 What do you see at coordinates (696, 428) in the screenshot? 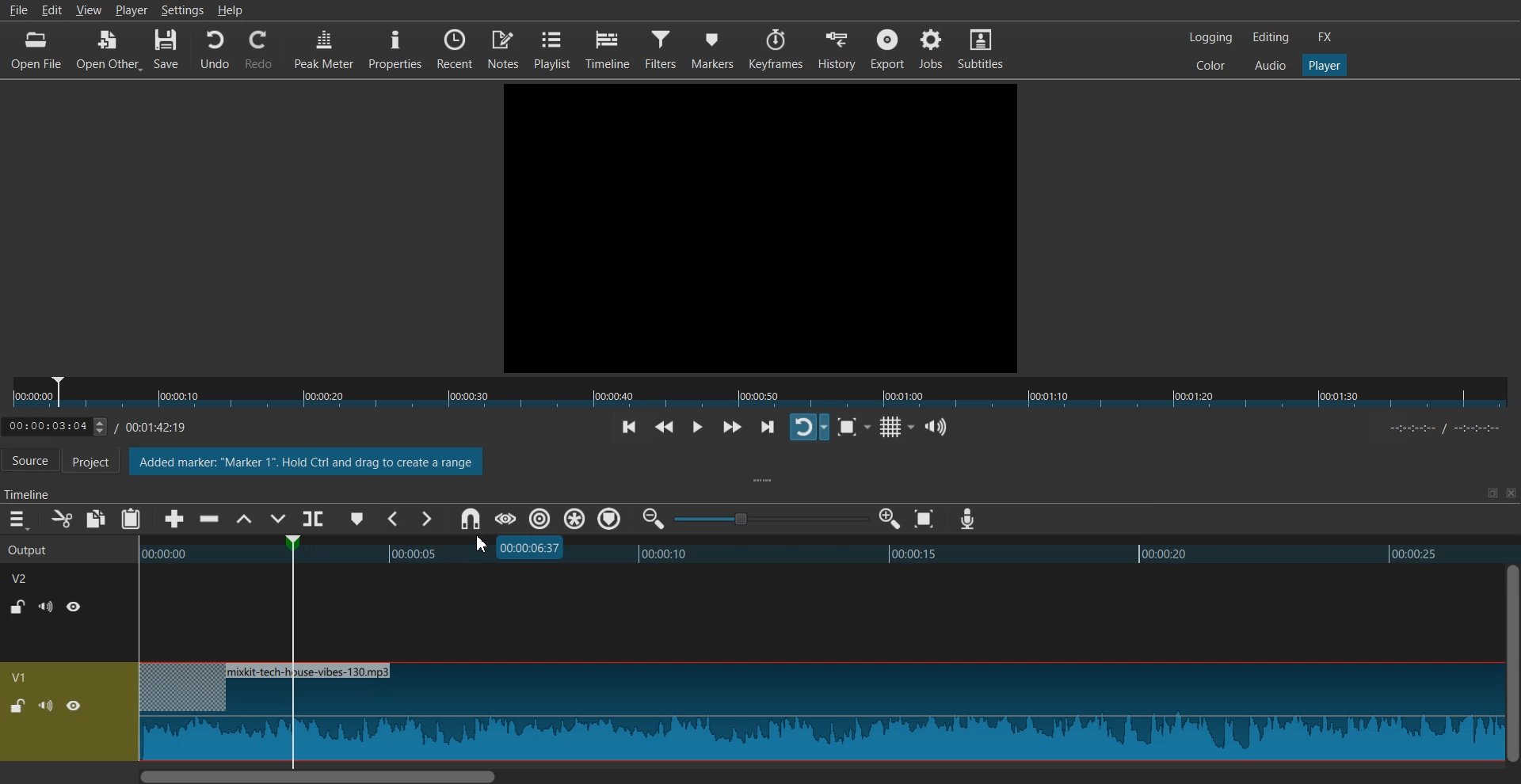
I see `Toggle play or pause` at bounding box center [696, 428].